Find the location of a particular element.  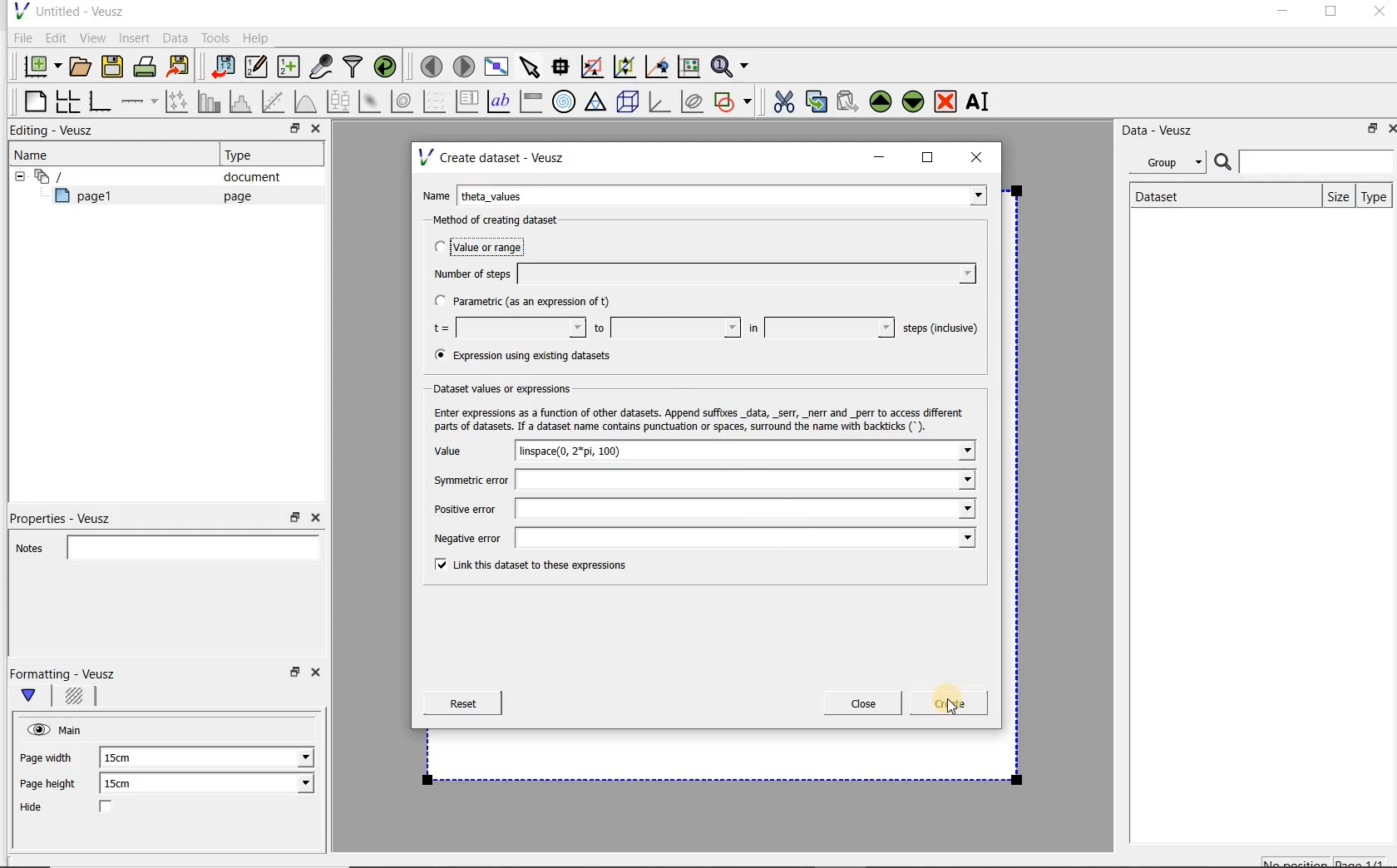

Help is located at coordinates (258, 37).